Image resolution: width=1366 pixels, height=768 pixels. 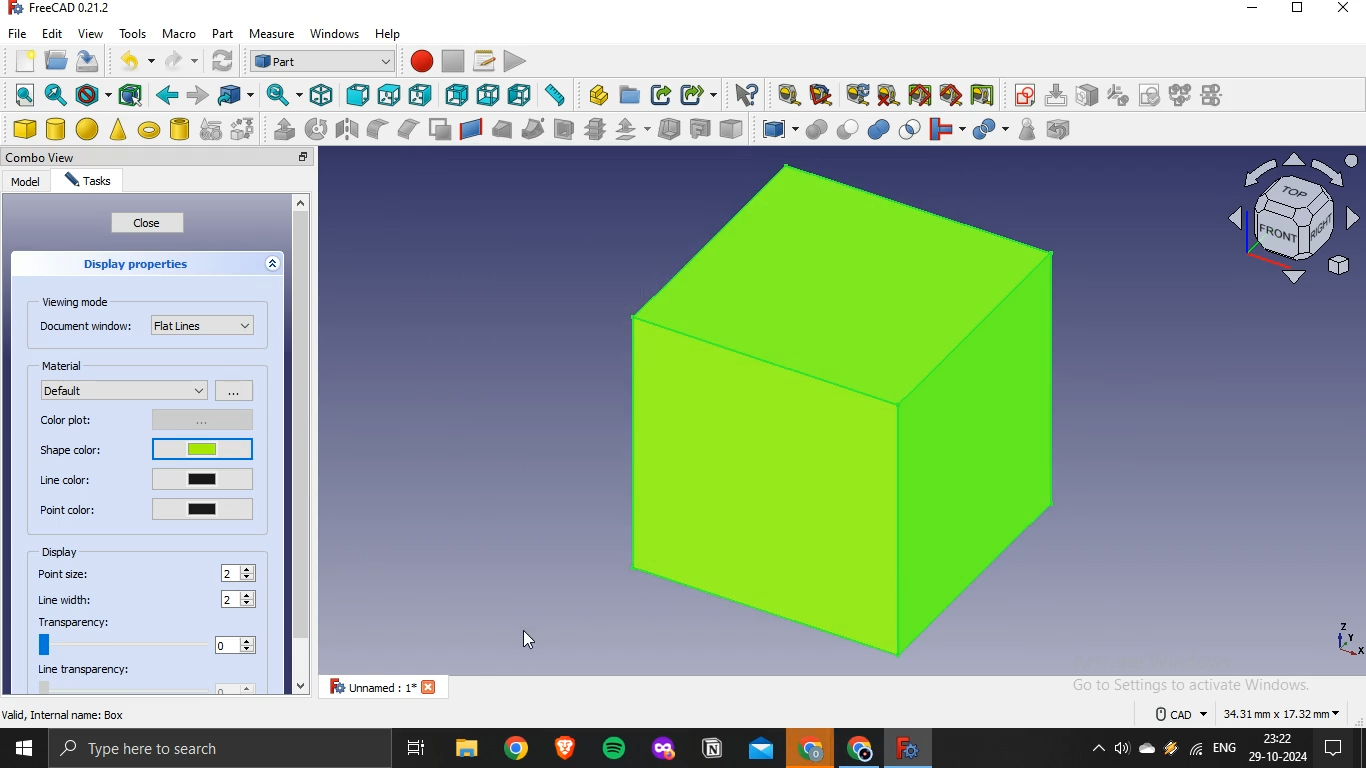 What do you see at coordinates (501, 129) in the screenshot?
I see `loft` at bounding box center [501, 129].